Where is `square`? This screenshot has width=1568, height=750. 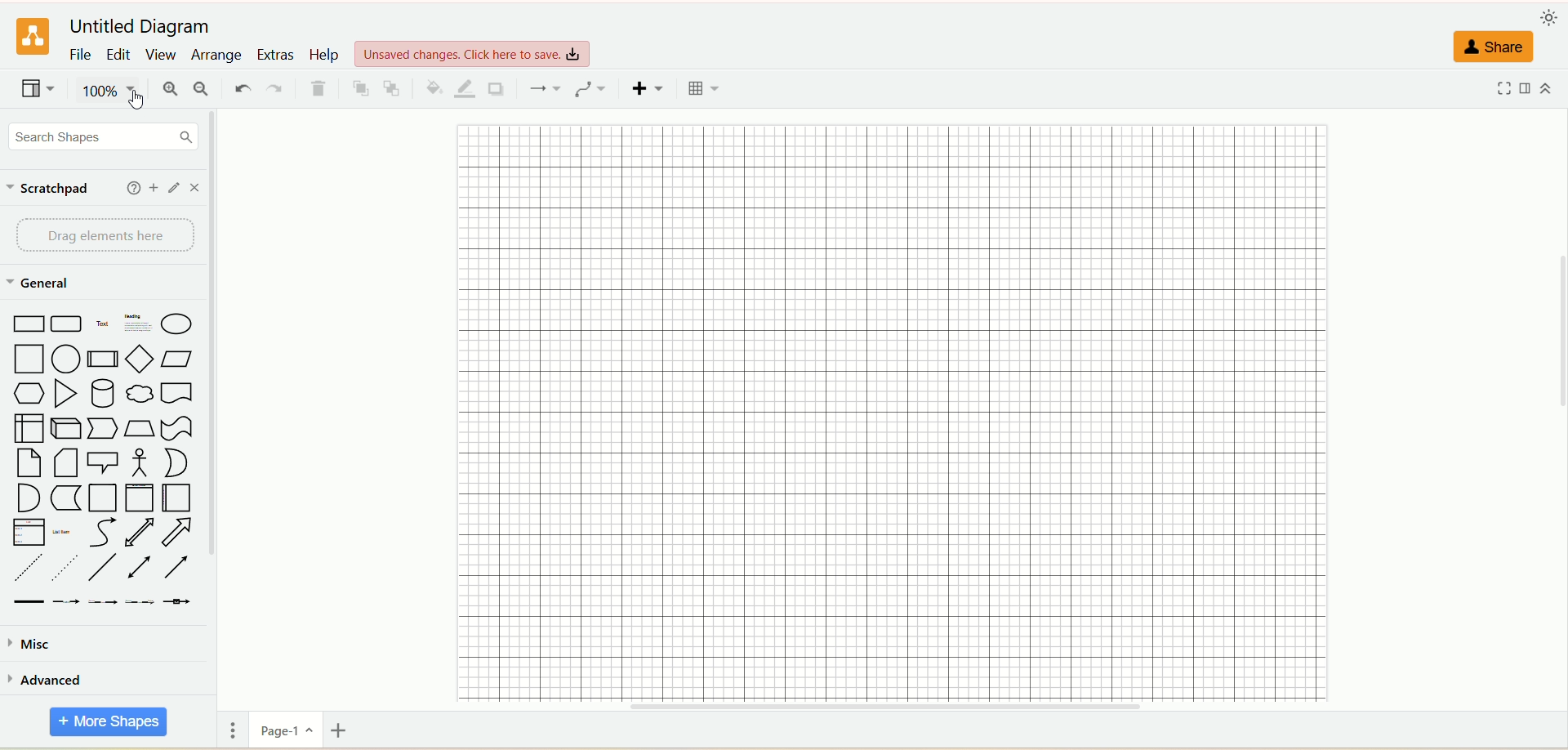
square is located at coordinates (32, 359).